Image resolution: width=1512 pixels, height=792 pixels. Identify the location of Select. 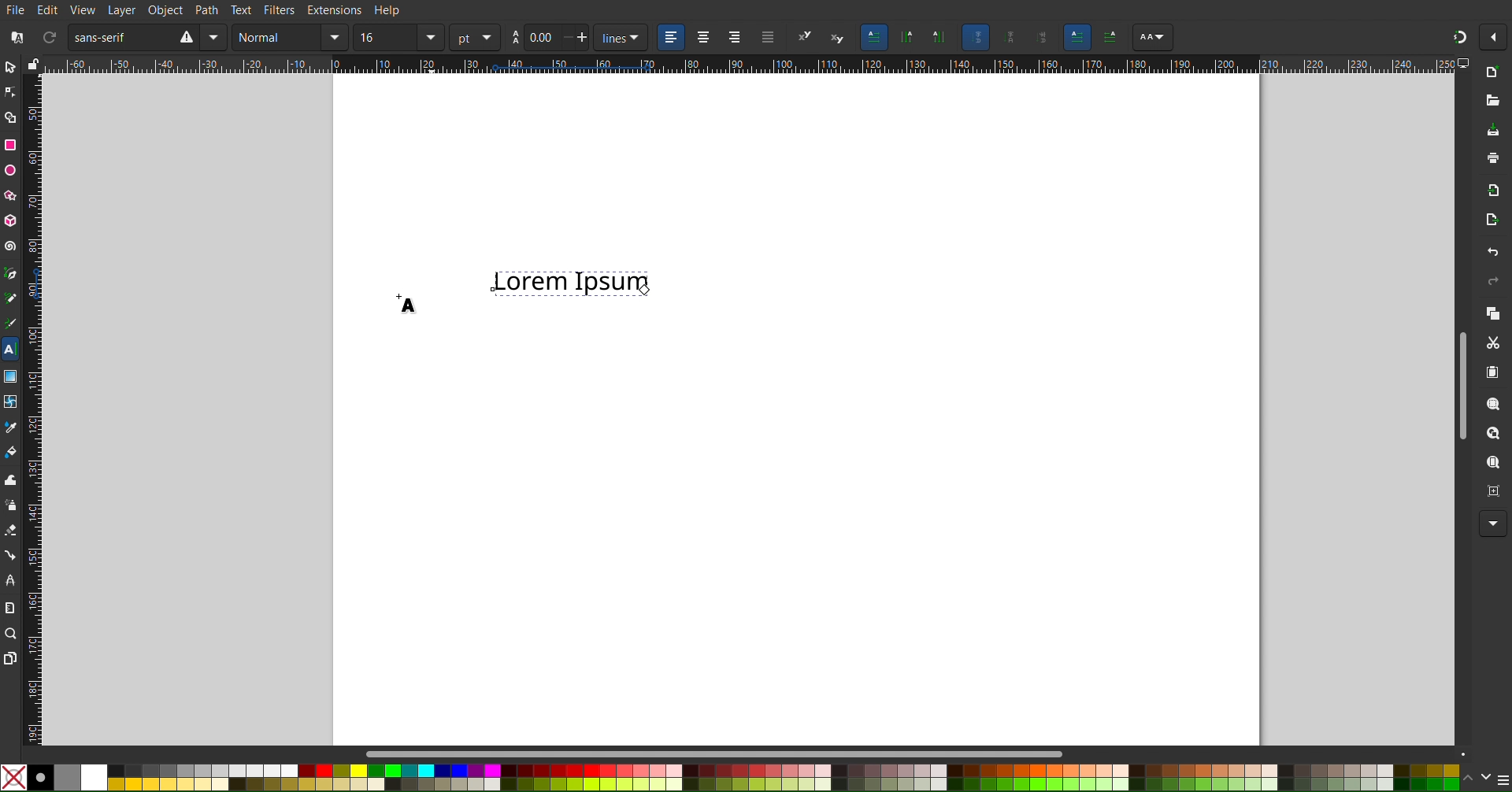
(11, 67).